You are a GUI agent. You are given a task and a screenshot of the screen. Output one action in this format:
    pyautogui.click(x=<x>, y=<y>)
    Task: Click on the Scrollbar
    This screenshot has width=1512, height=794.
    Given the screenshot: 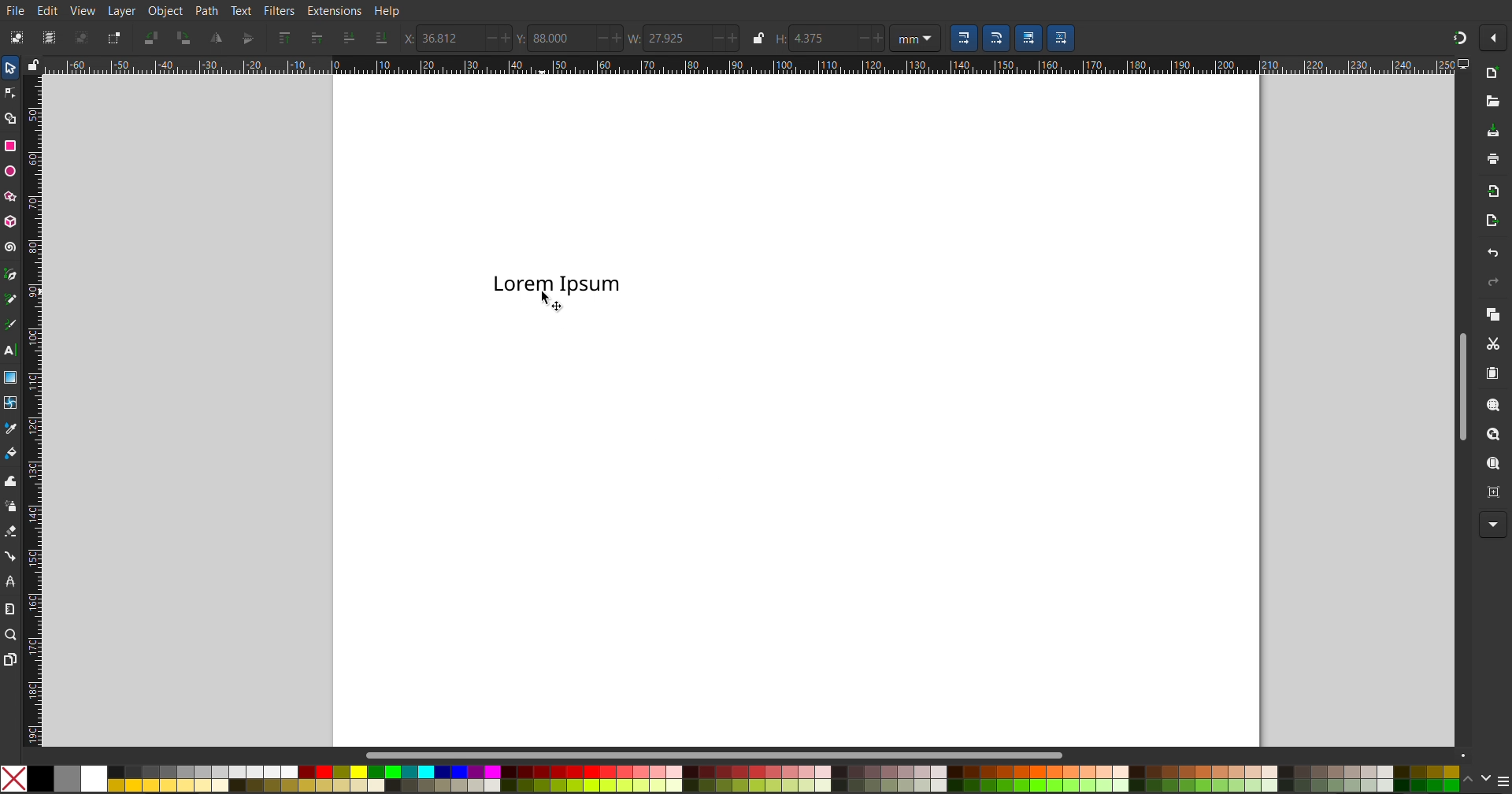 What is the action you would take?
    pyautogui.click(x=1462, y=382)
    